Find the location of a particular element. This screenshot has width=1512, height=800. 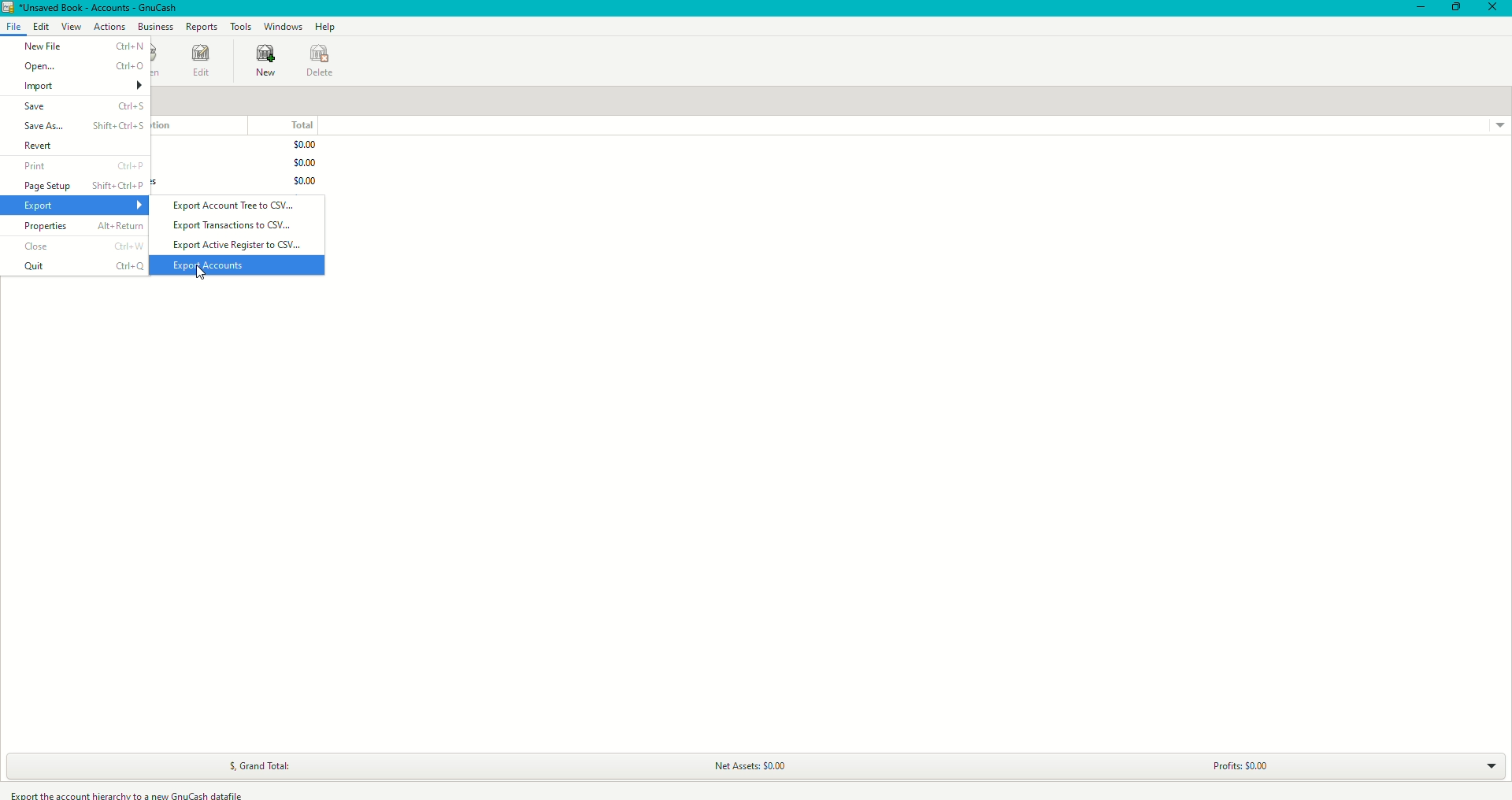

Revert is located at coordinates (84, 148).